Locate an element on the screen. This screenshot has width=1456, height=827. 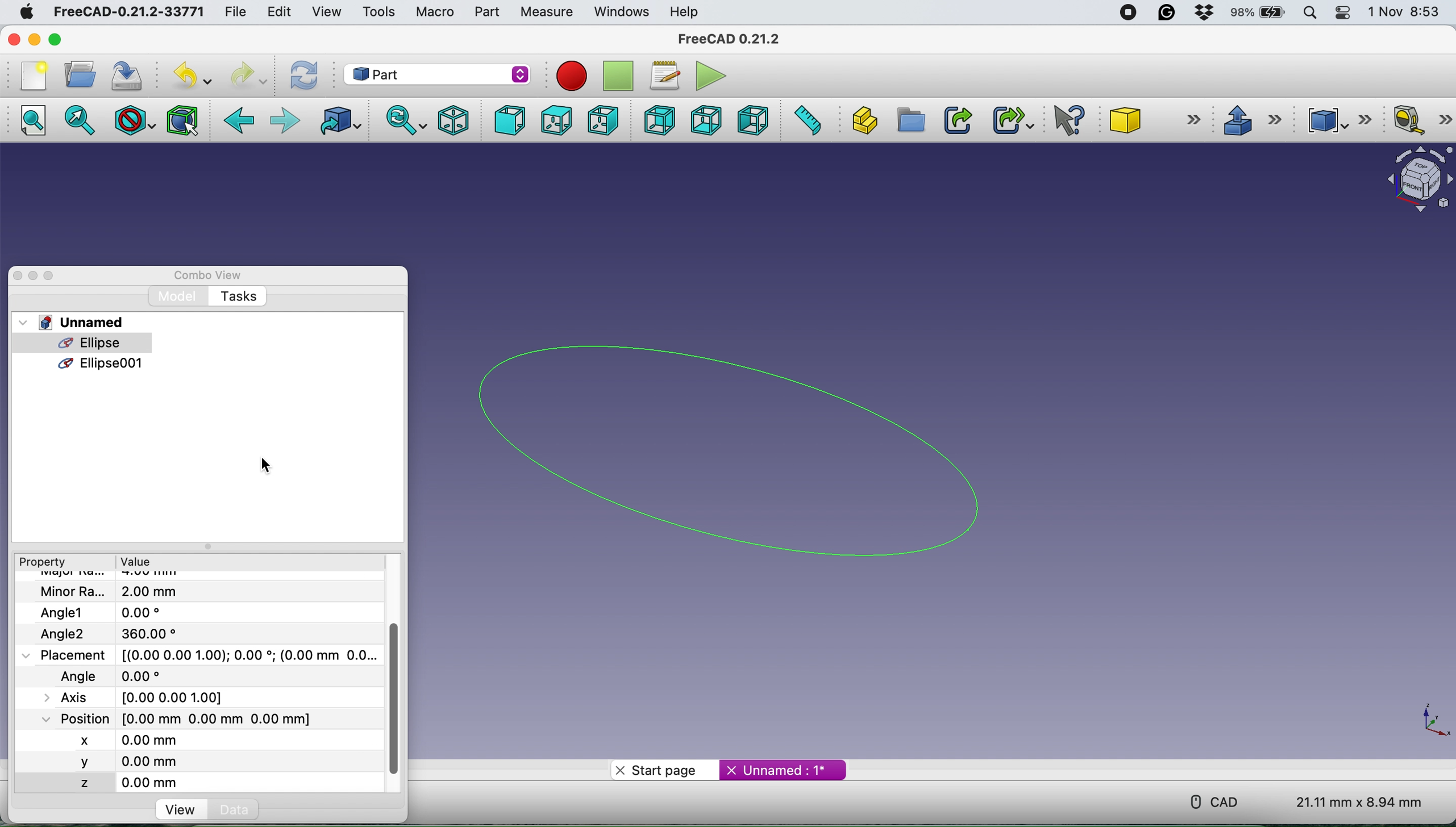
fit all is located at coordinates (33, 120).